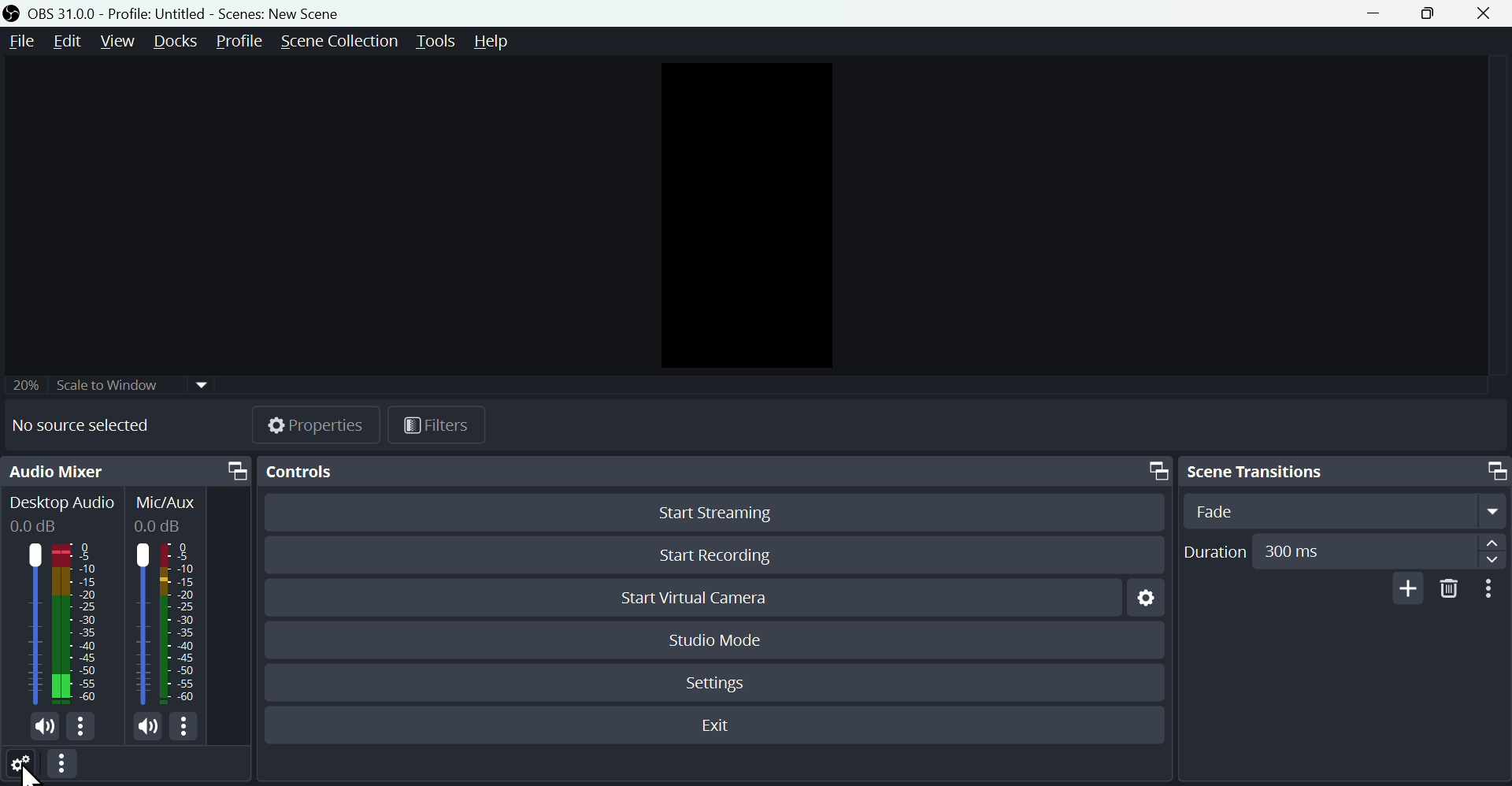 The height and width of the screenshot is (786, 1512). What do you see at coordinates (176, 42) in the screenshot?
I see `Docks` at bounding box center [176, 42].